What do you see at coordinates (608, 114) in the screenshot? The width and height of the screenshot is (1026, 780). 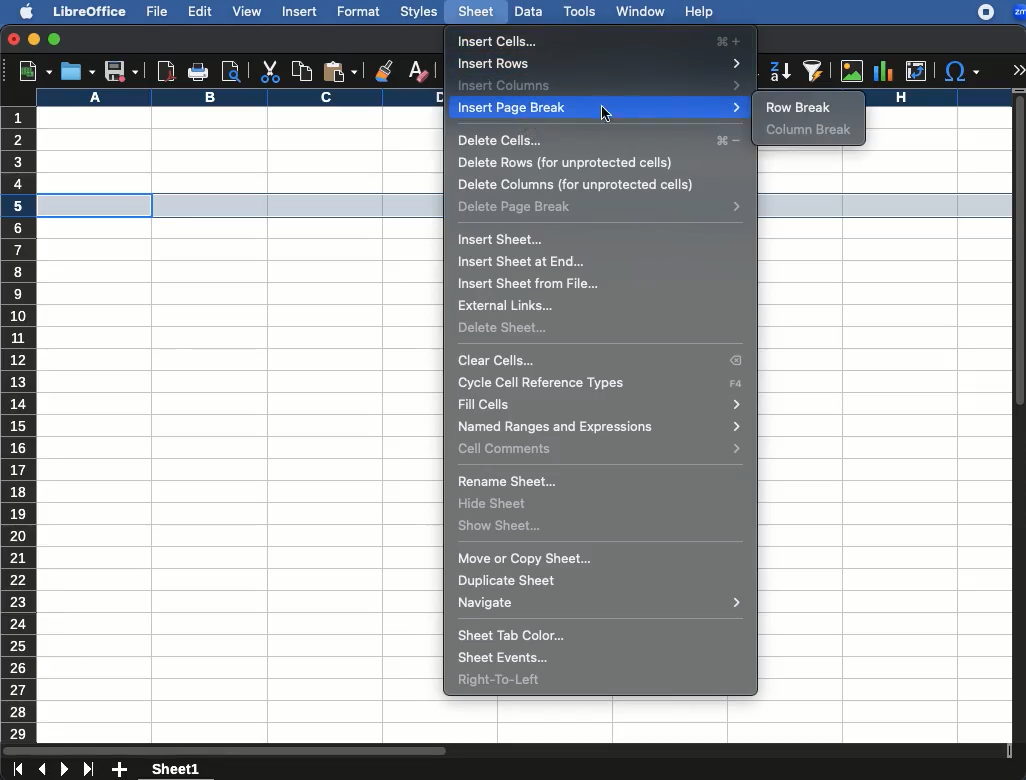 I see `cursor` at bounding box center [608, 114].